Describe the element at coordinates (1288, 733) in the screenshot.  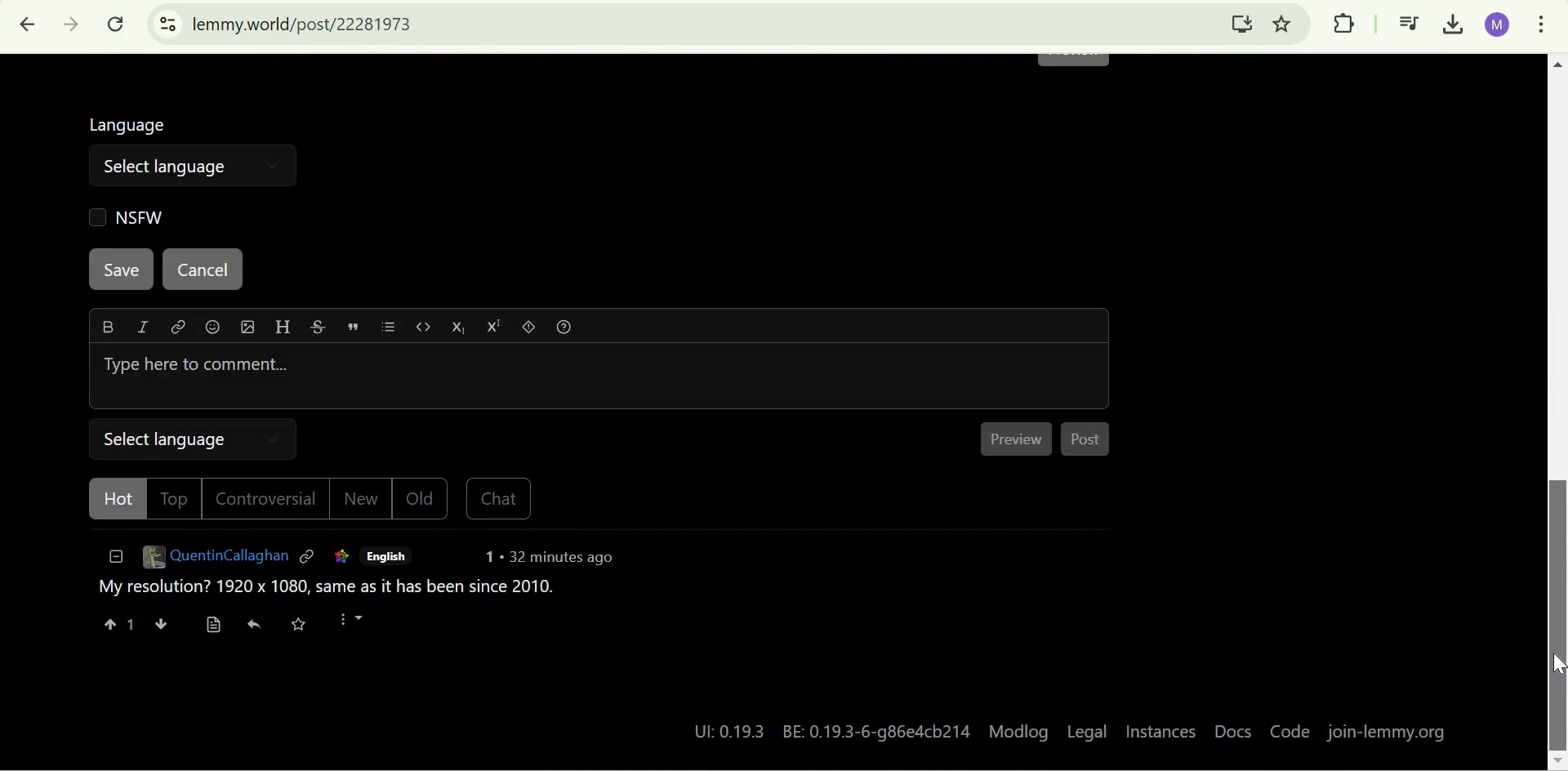
I see `Code` at that location.